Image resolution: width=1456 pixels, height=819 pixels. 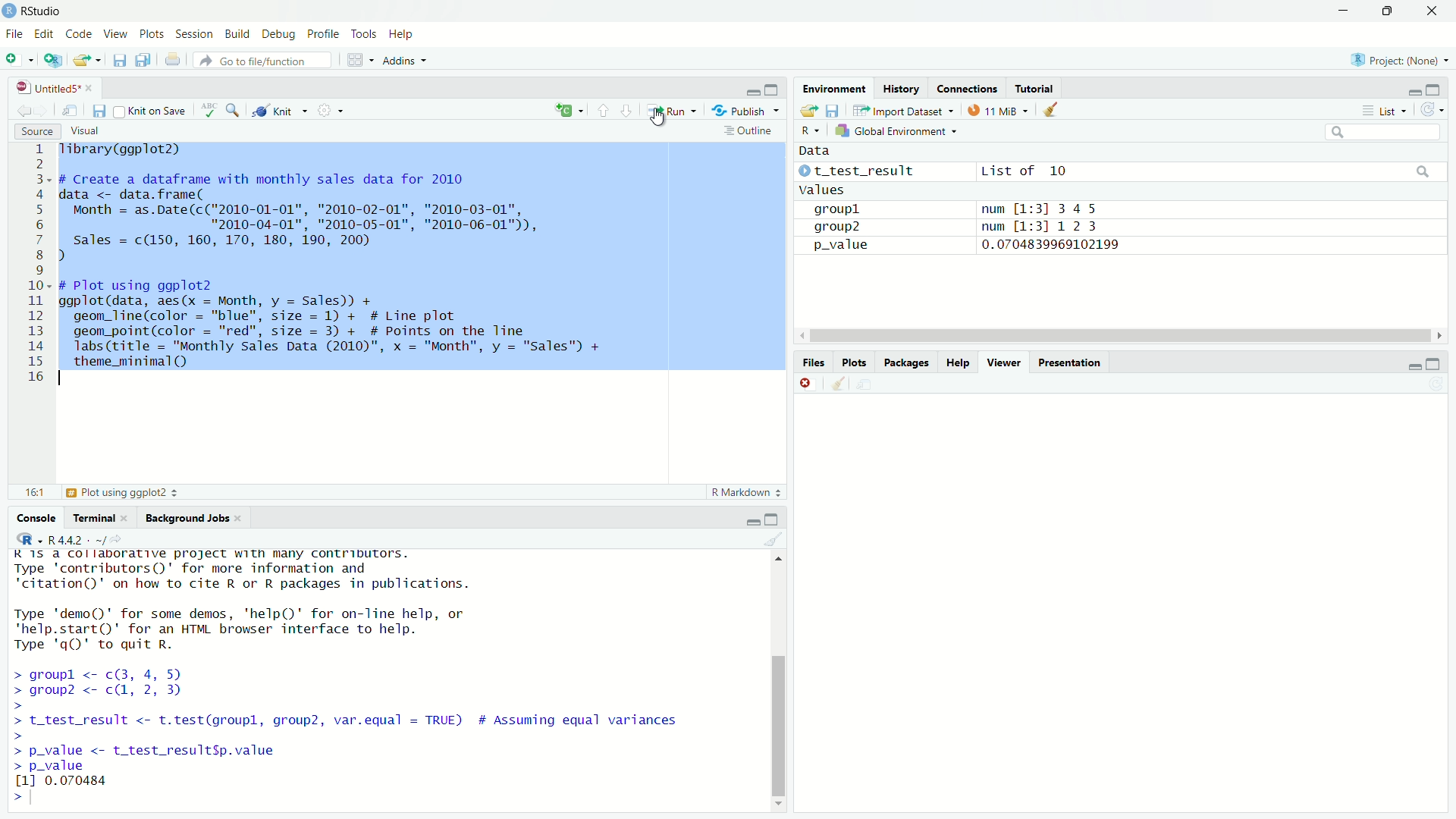 I want to click on workspace panel, so click(x=362, y=59).